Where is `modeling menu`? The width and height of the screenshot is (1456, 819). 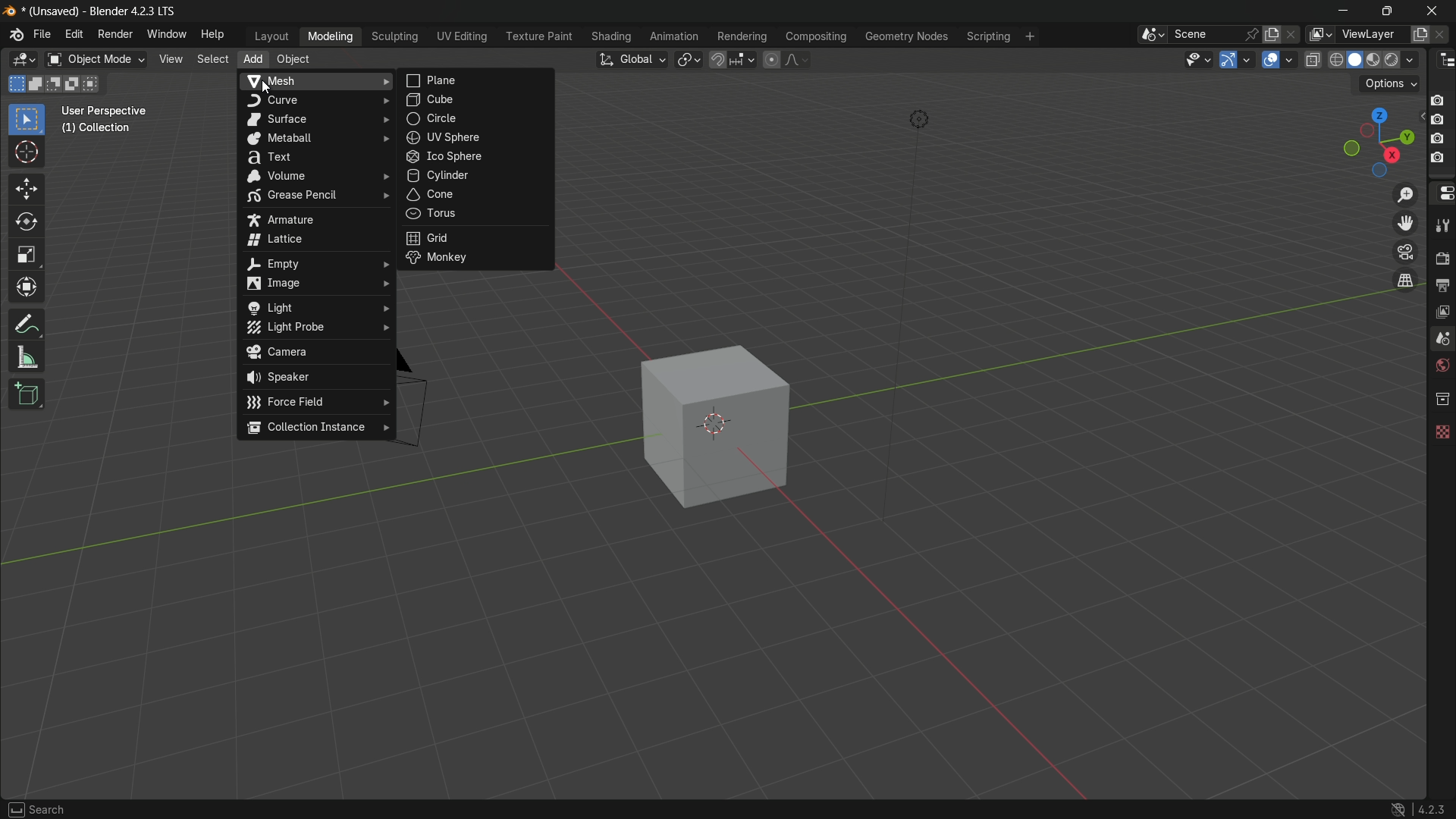 modeling menu is located at coordinates (331, 36).